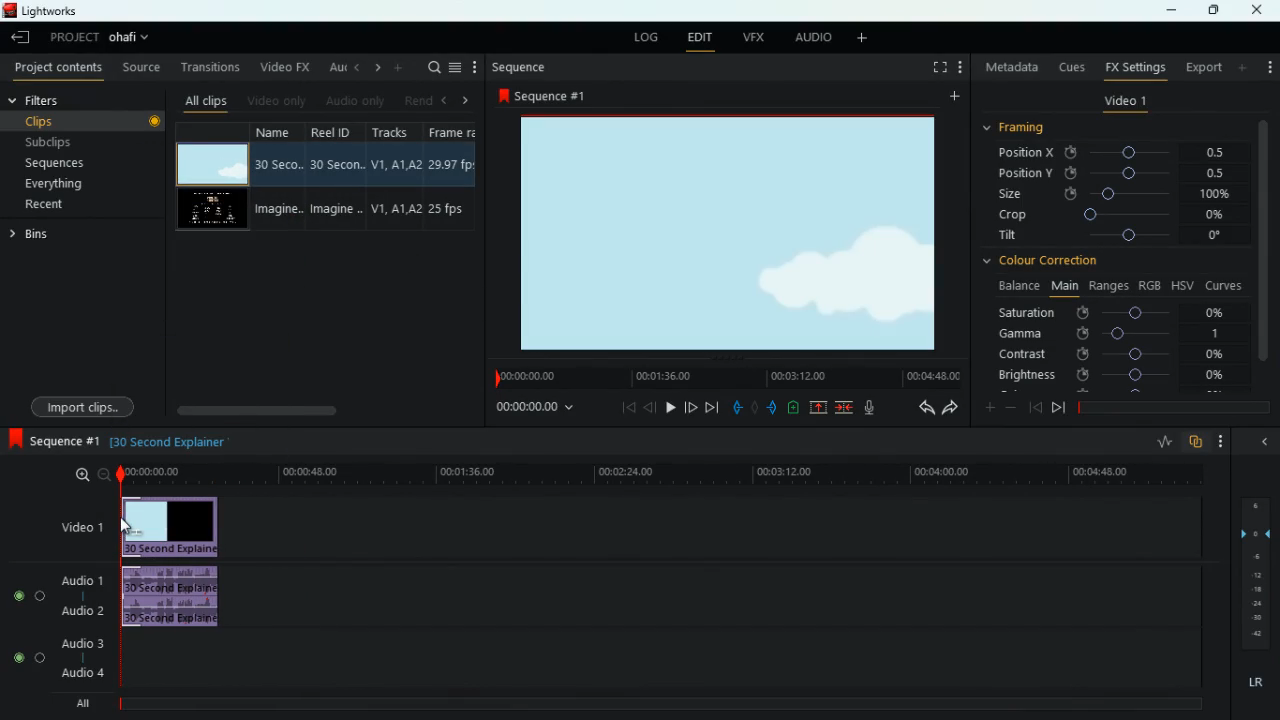 The width and height of the screenshot is (1280, 720). I want to click on colour correction, so click(1049, 262).